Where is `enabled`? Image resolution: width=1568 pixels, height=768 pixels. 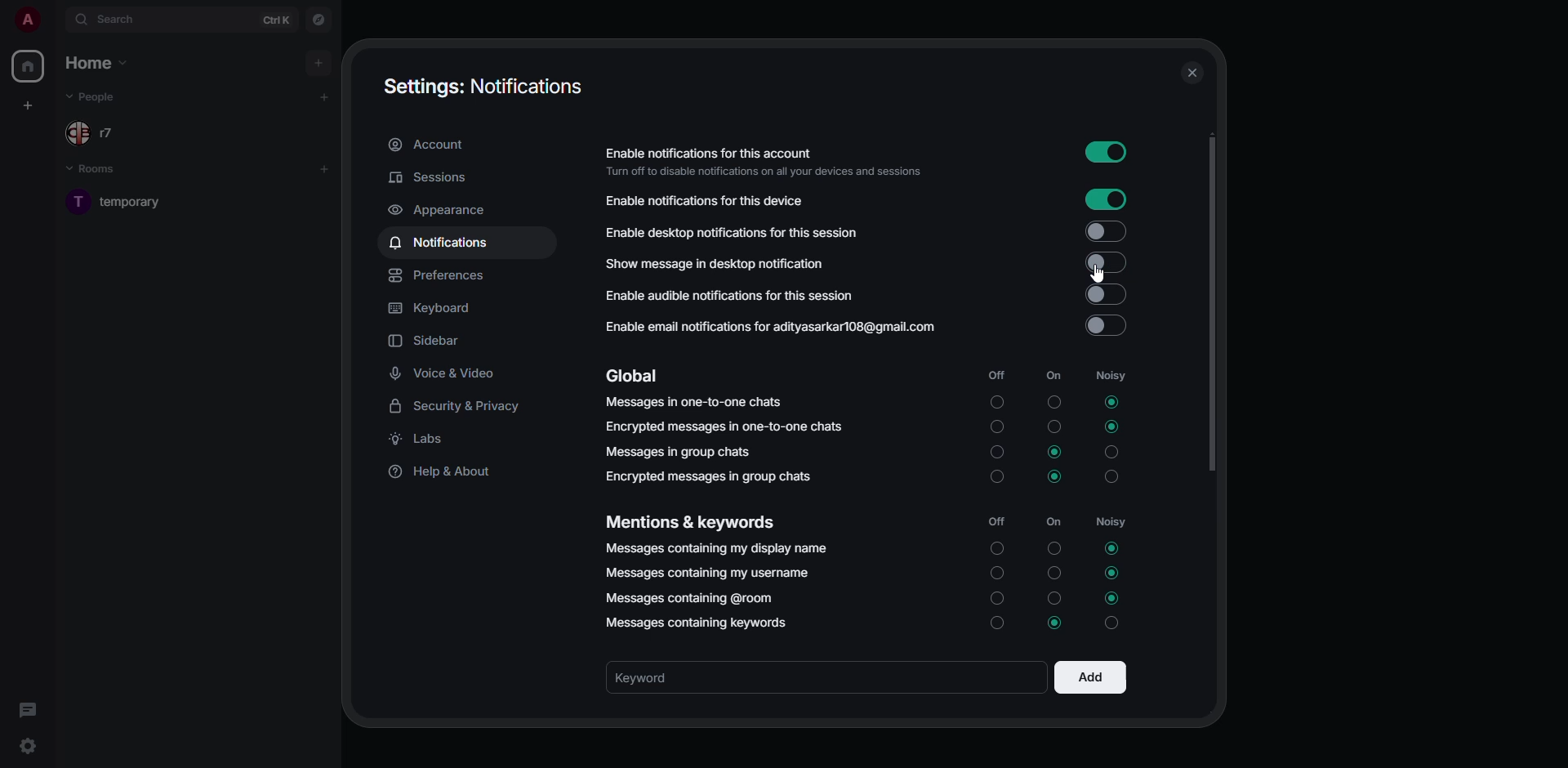 enabled is located at coordinates (1104, 263).